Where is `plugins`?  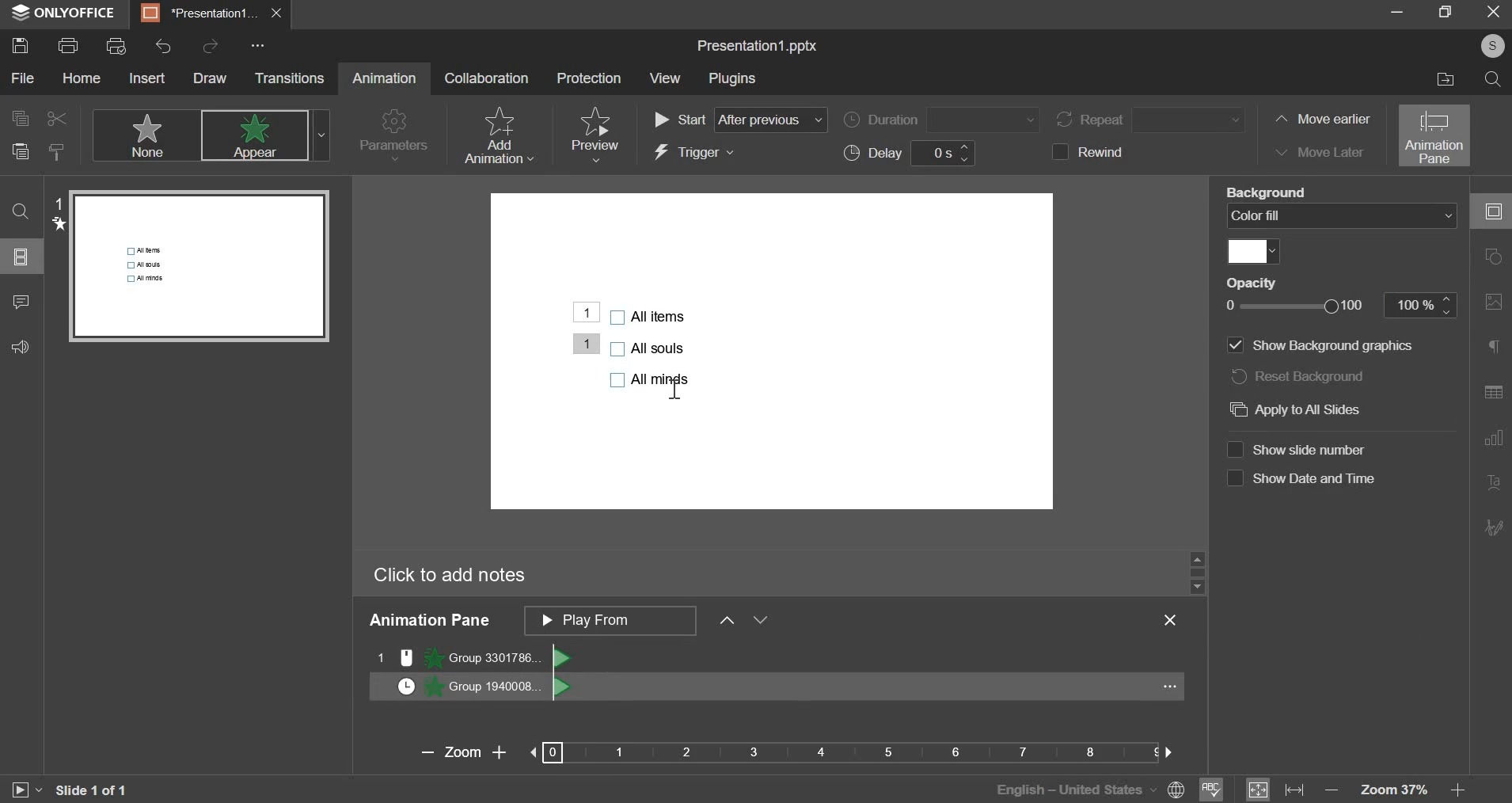
plugins is located at coordinates (731, 79).